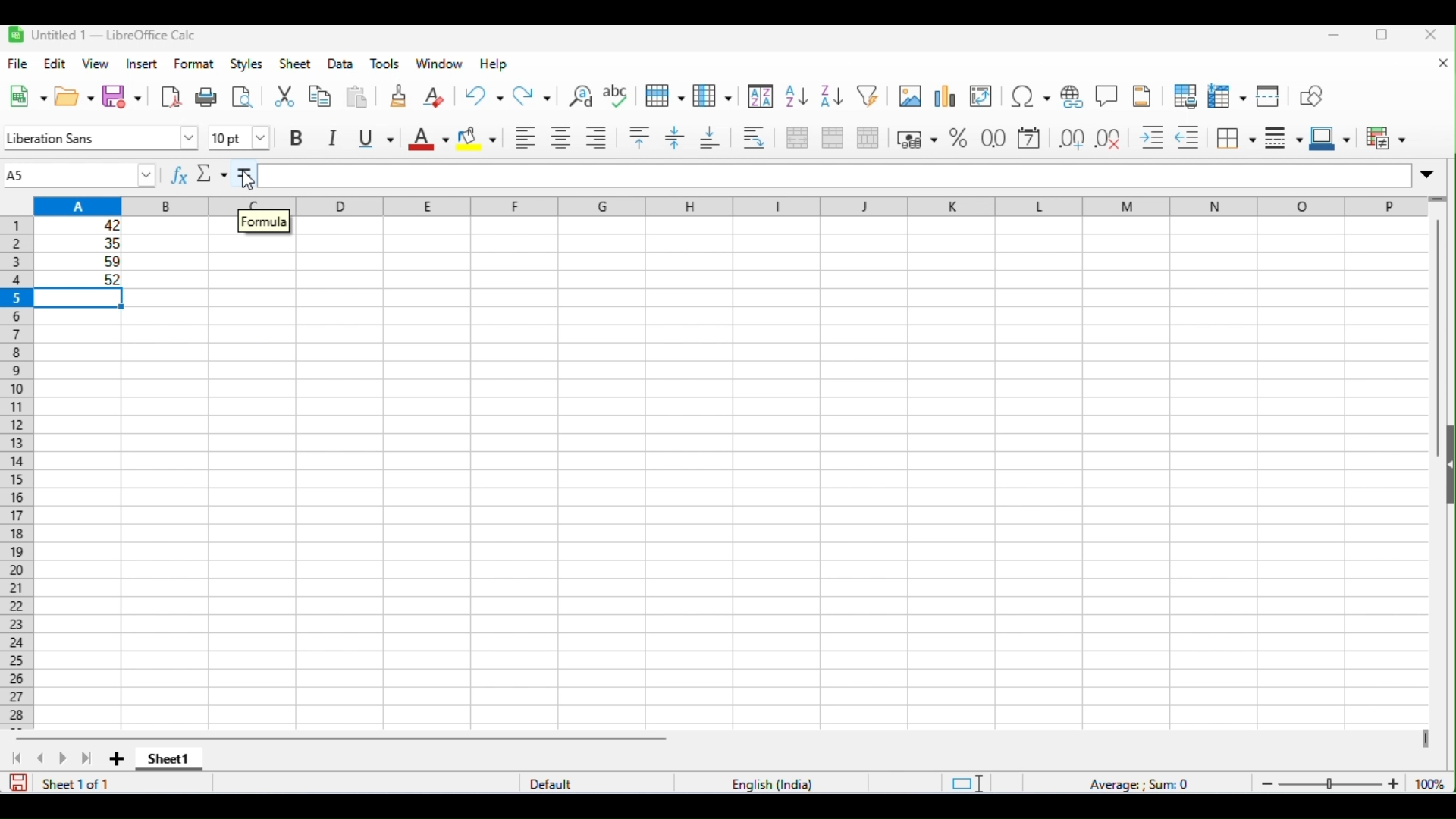 Image resolution: width=1456 pixels, height=819 pixels. What do you see at coordinates (102, 35) in the screenshot?
I see `untitle1-libreoffice calc` at bounding box center [102, 35].